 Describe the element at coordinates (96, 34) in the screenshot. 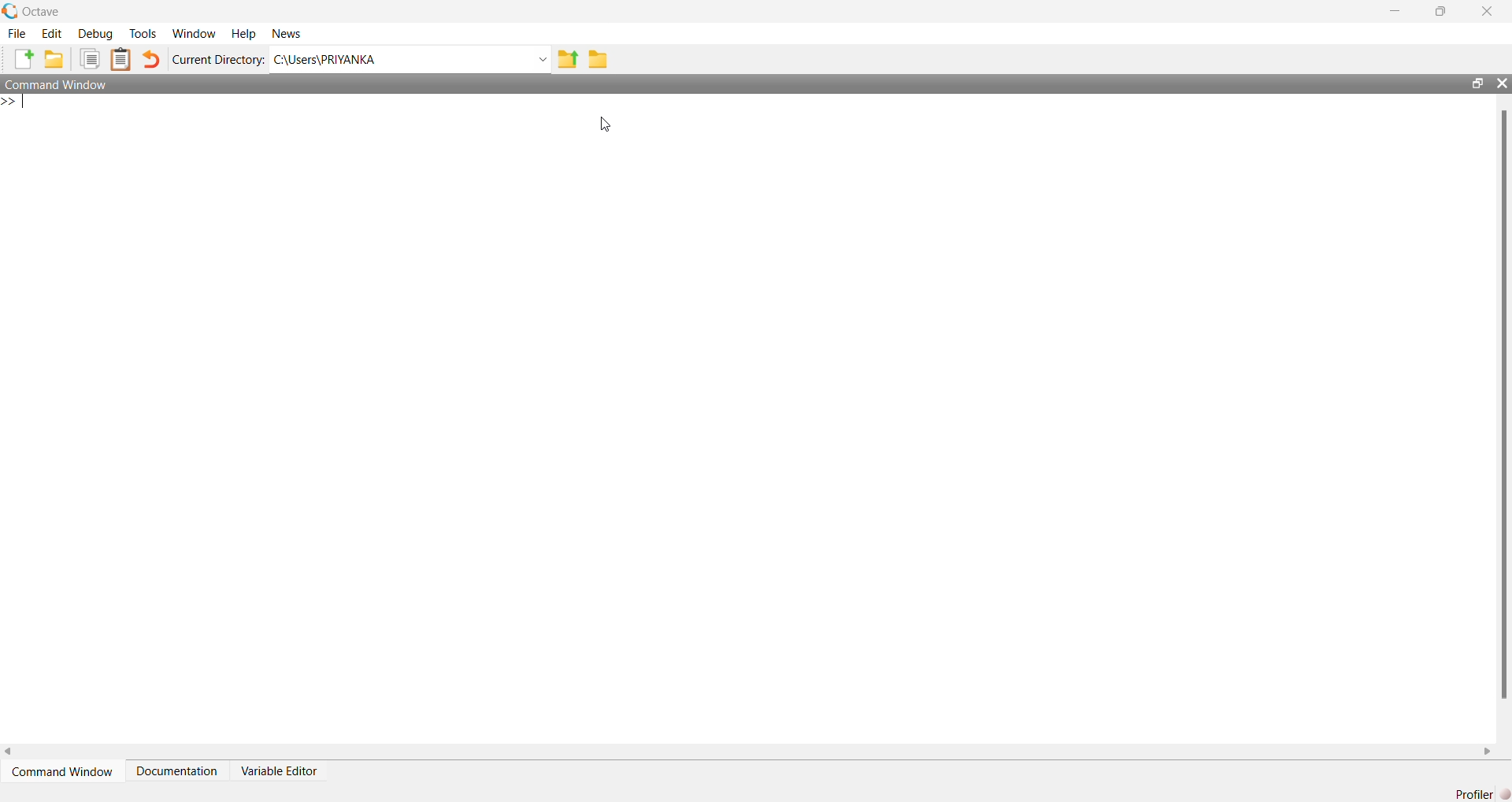

I see `Debug` at that location.